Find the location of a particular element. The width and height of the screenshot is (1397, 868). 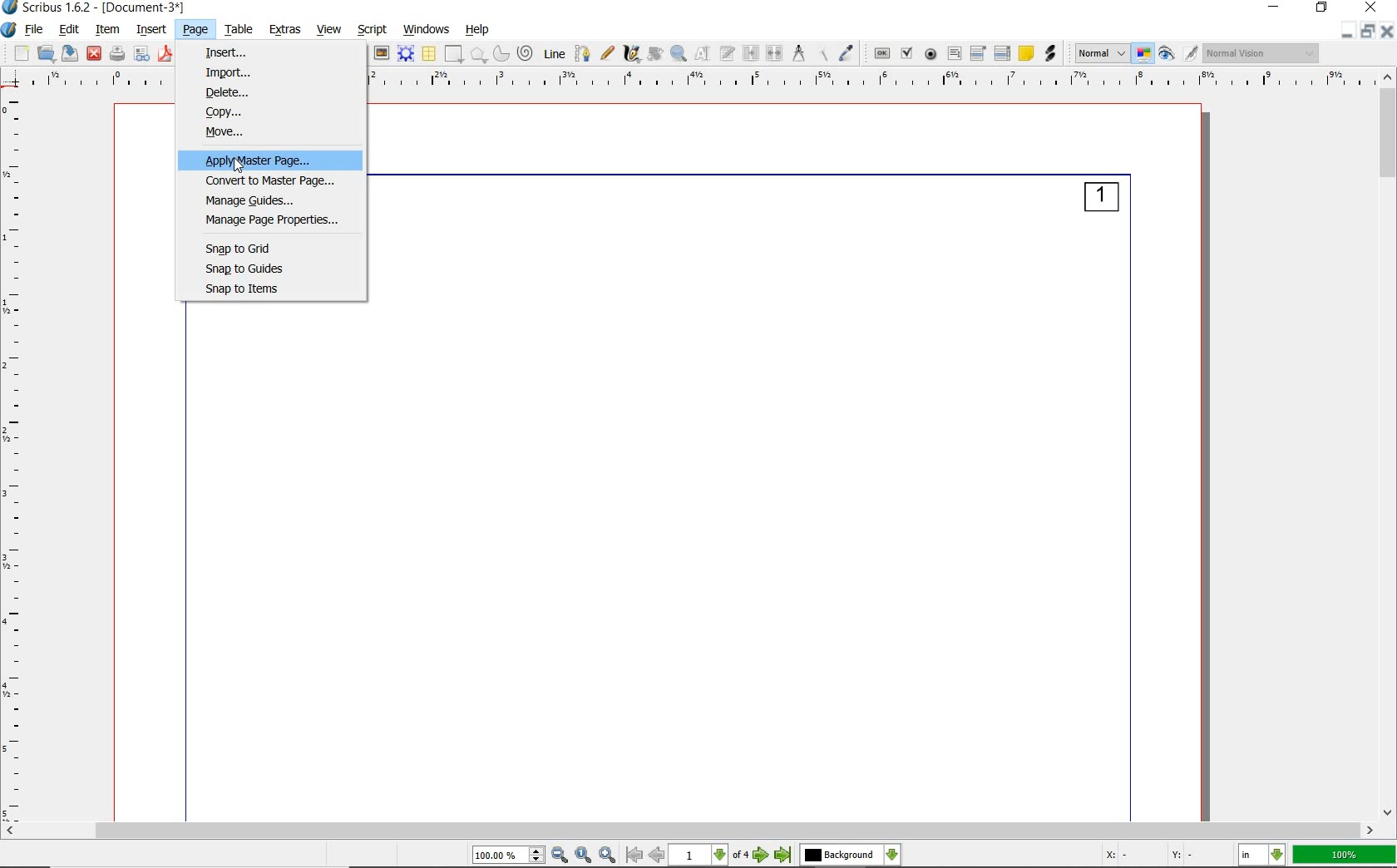

pdf list box is located at coordinates (1004, 53).